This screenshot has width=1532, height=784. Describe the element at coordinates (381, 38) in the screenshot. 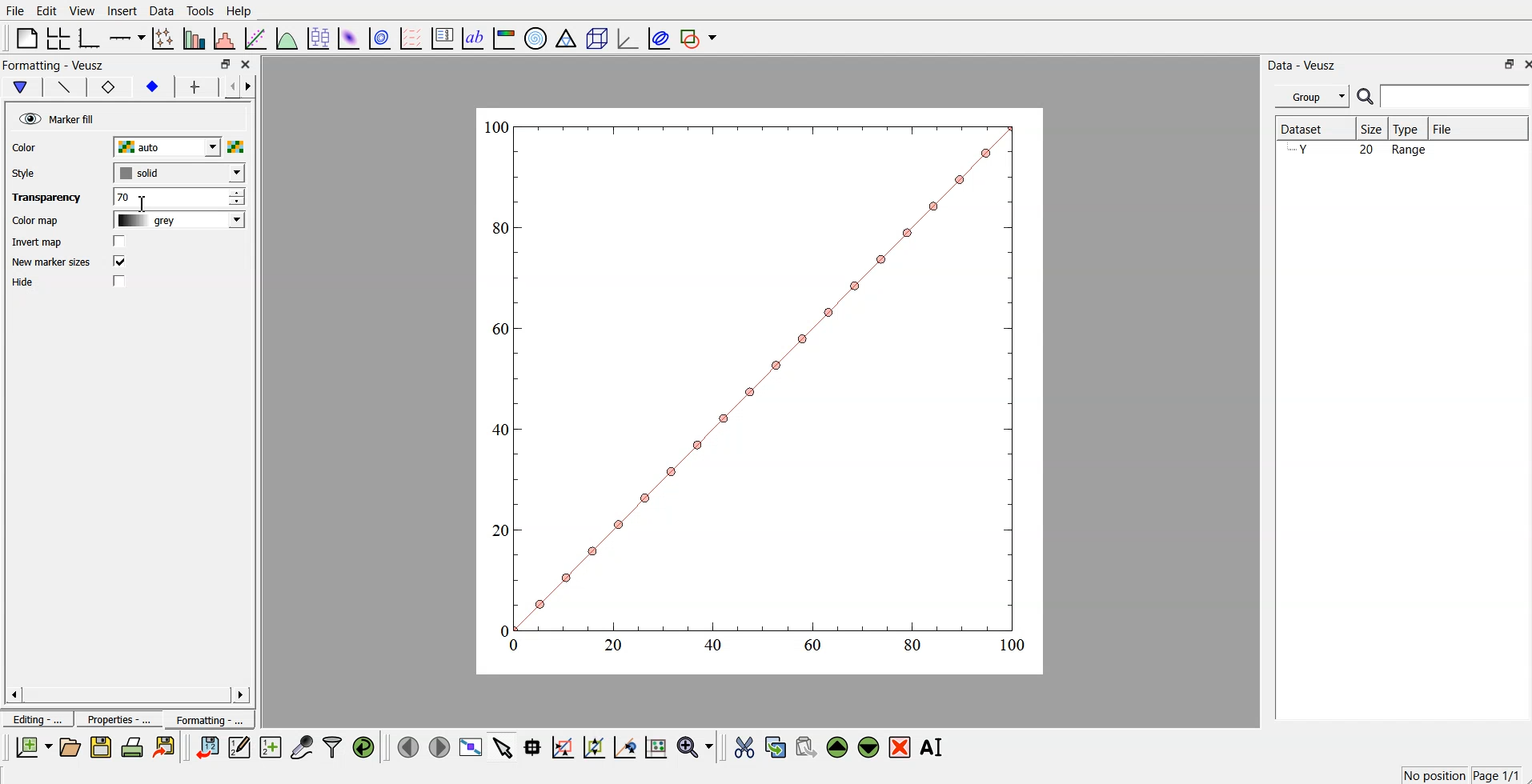

I see `plot a 2D dataset as cont` at that location.